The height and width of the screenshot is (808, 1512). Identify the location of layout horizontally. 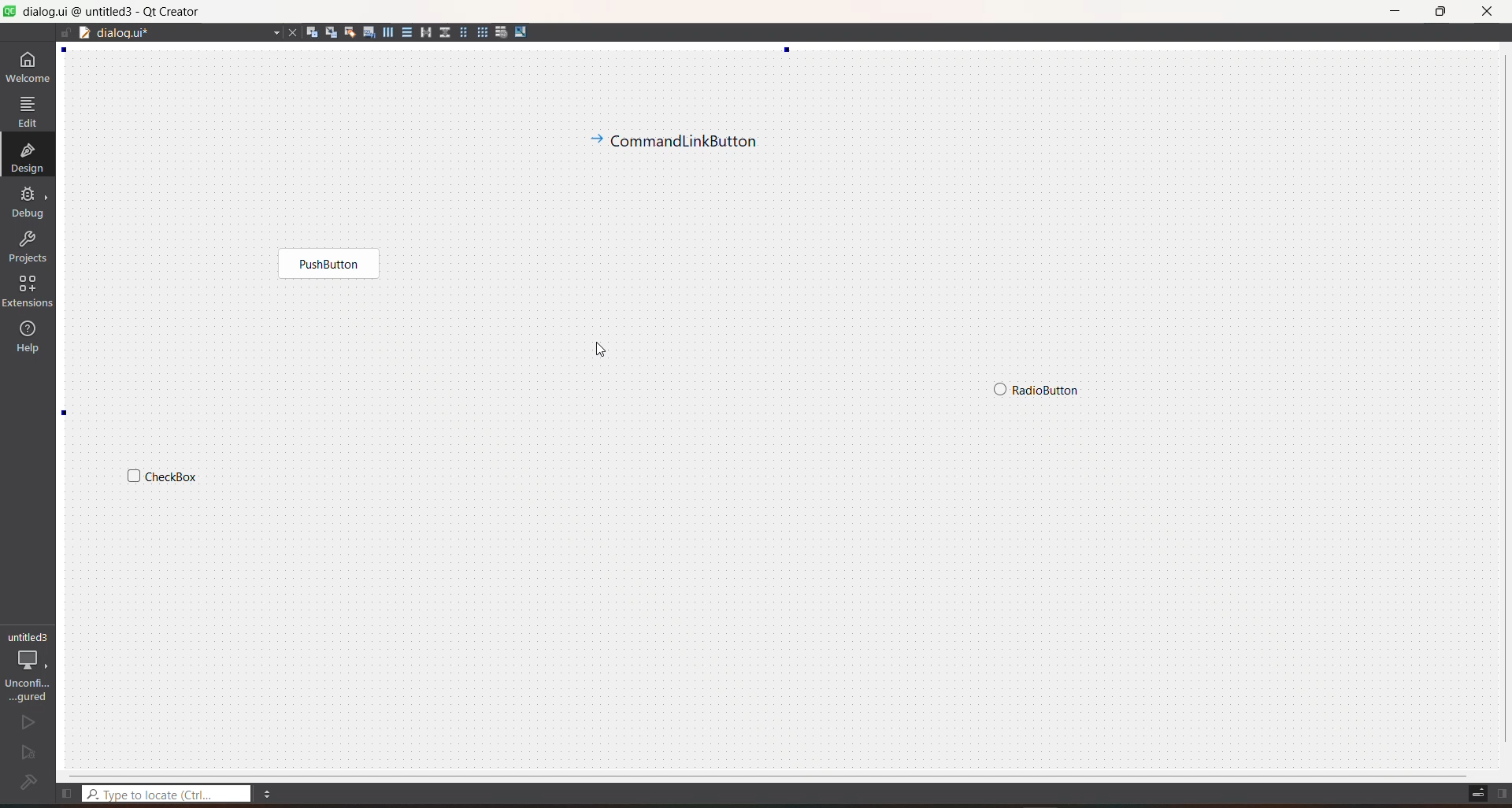
(386, 32).